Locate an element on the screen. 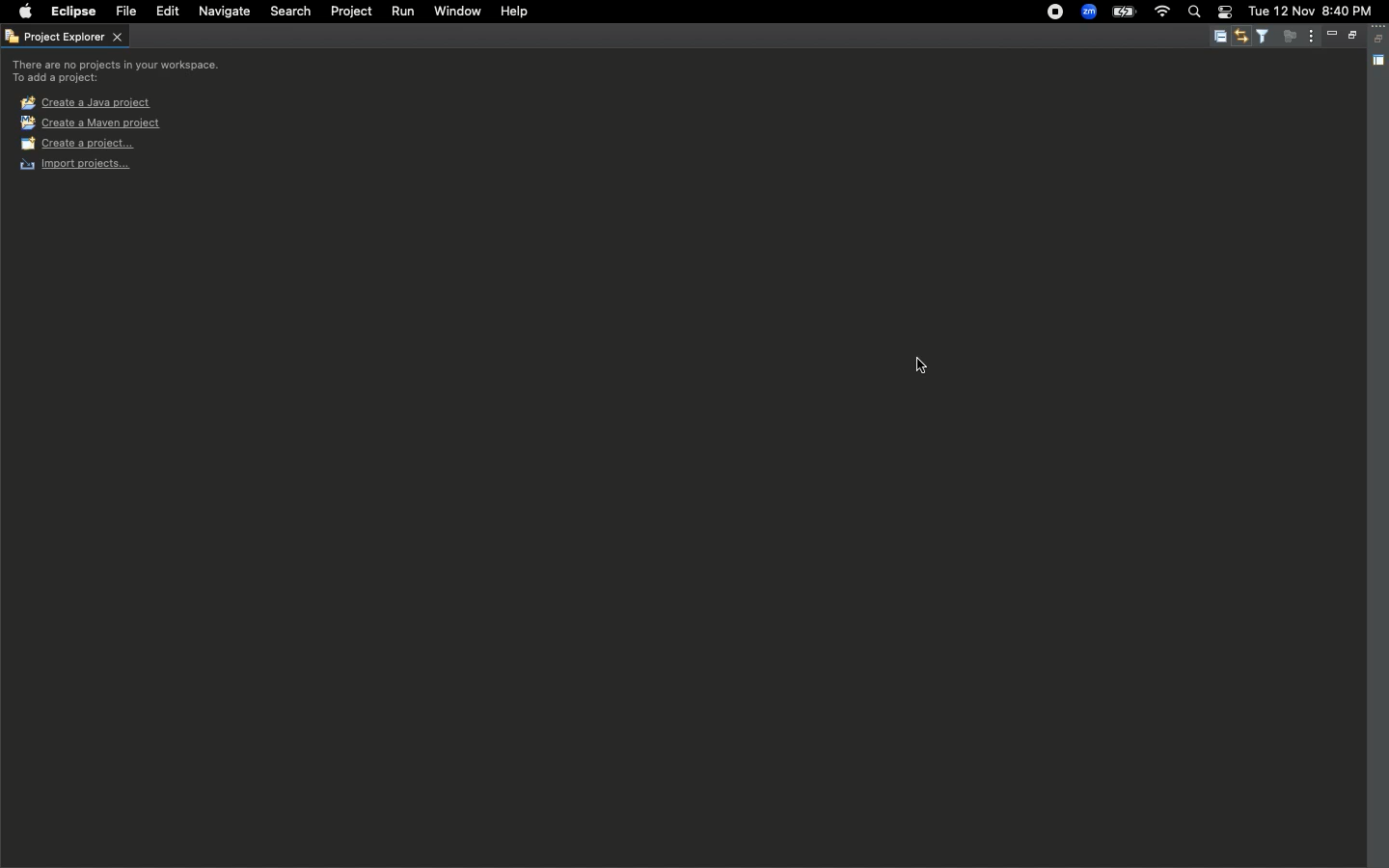  There are no projects in your workspace. to add a project: is located at coordinates (116, 70).